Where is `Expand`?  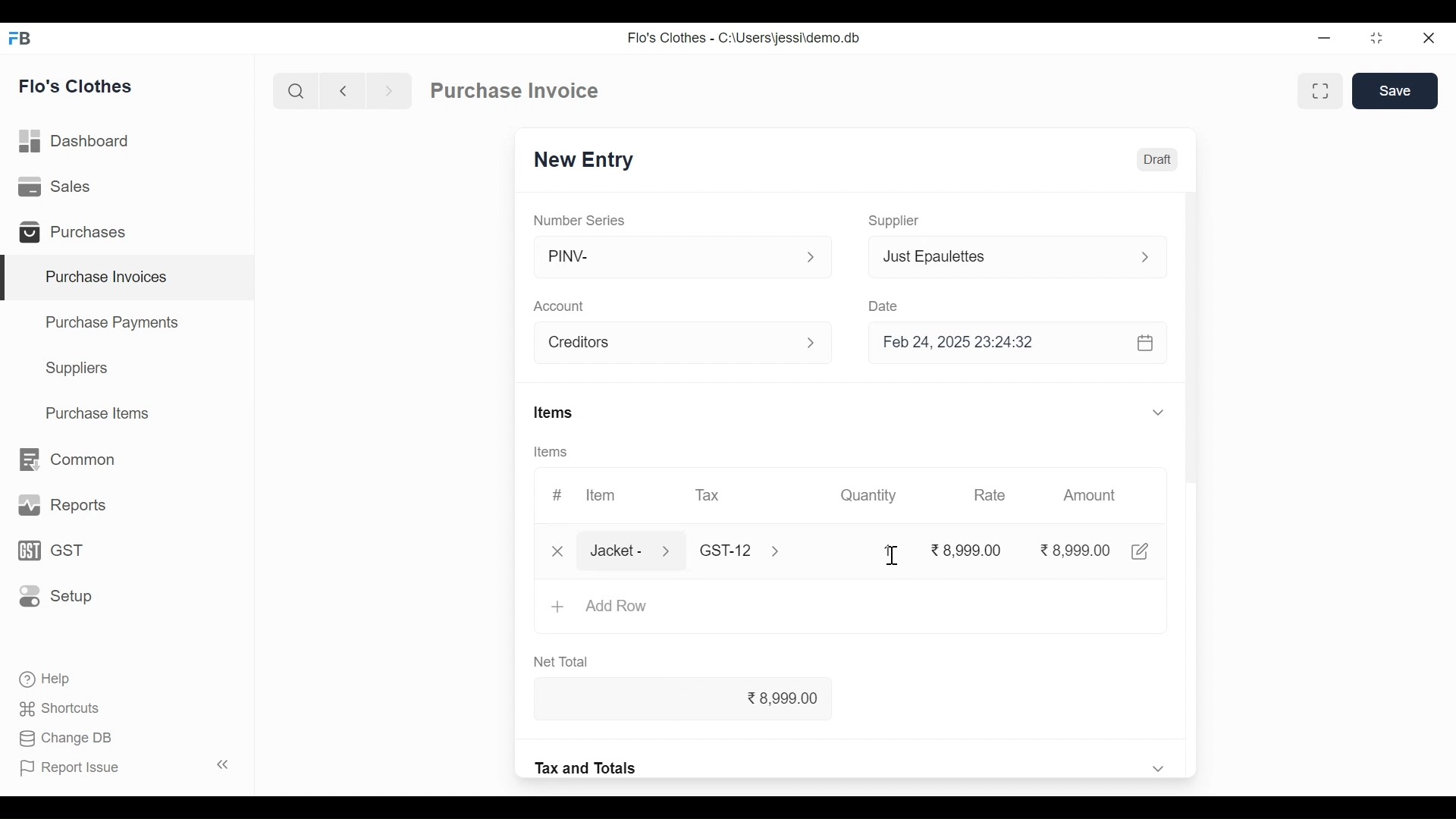
Expand is located at coordinates (1160, 412).